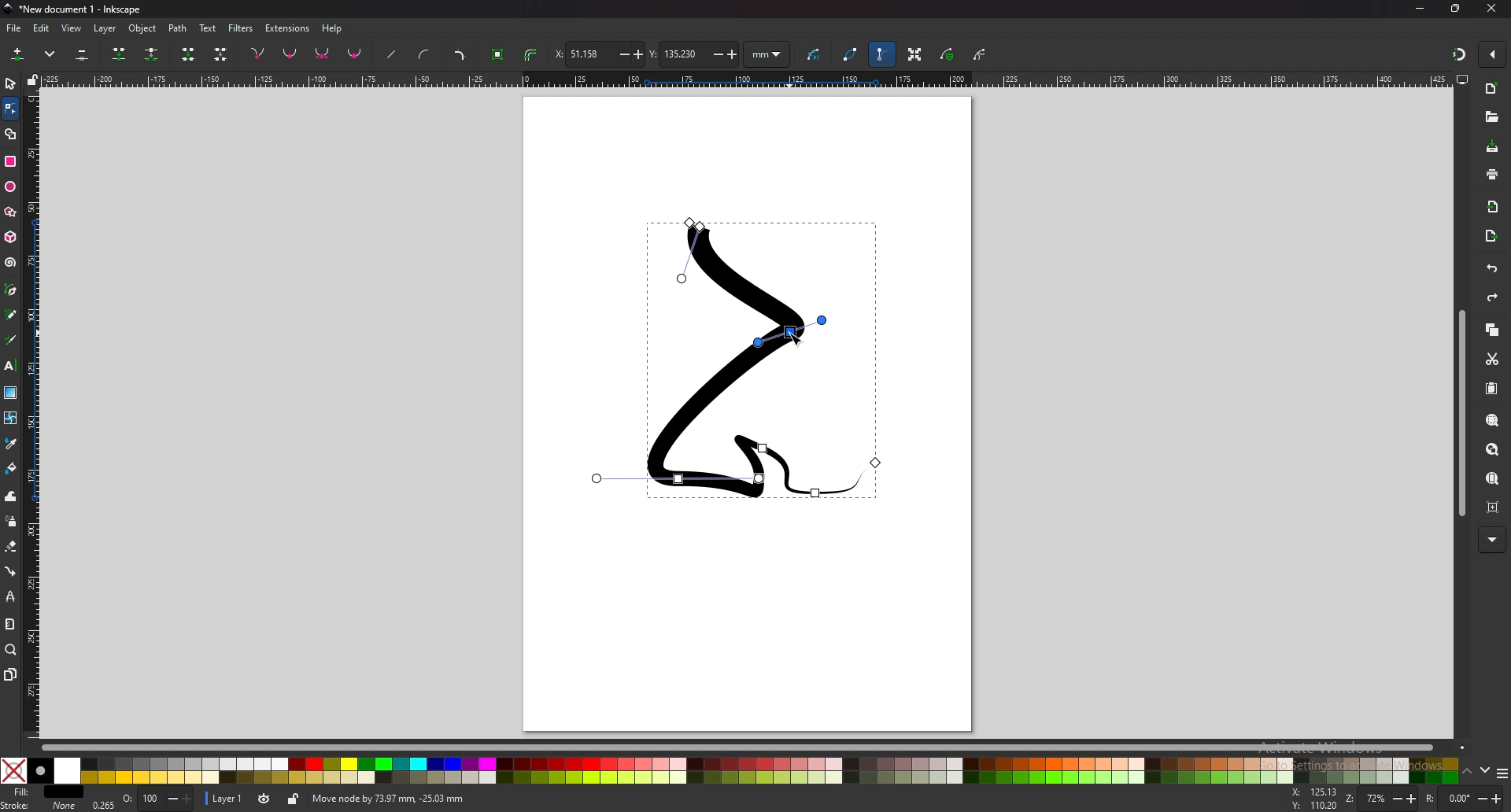 The width and height of the screenshot is (1511, 812). Describe the element at coordinates (1502, 775) in the screenshot. I see `options` at that location.